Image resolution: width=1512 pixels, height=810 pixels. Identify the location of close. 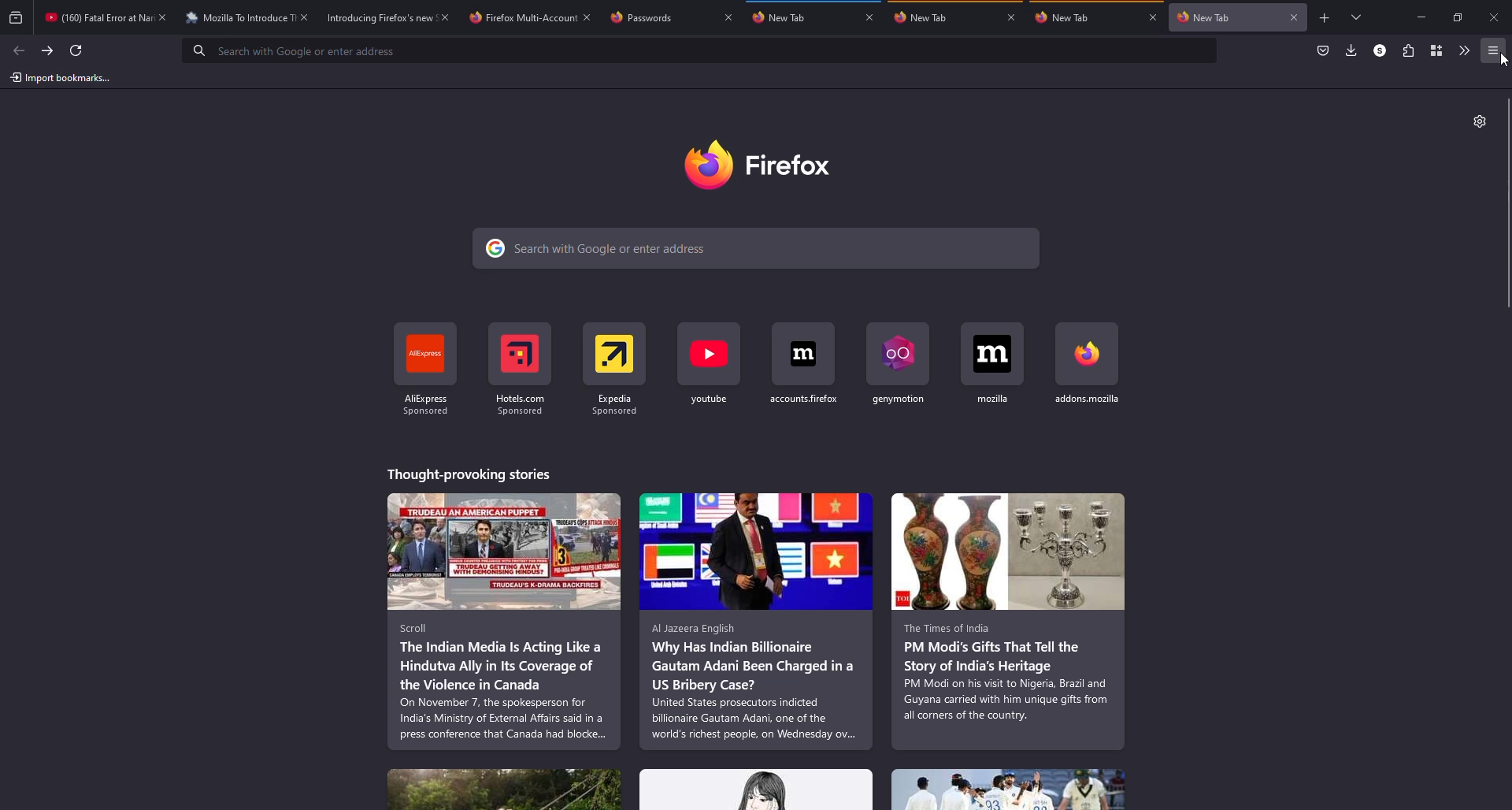
(588, 17).